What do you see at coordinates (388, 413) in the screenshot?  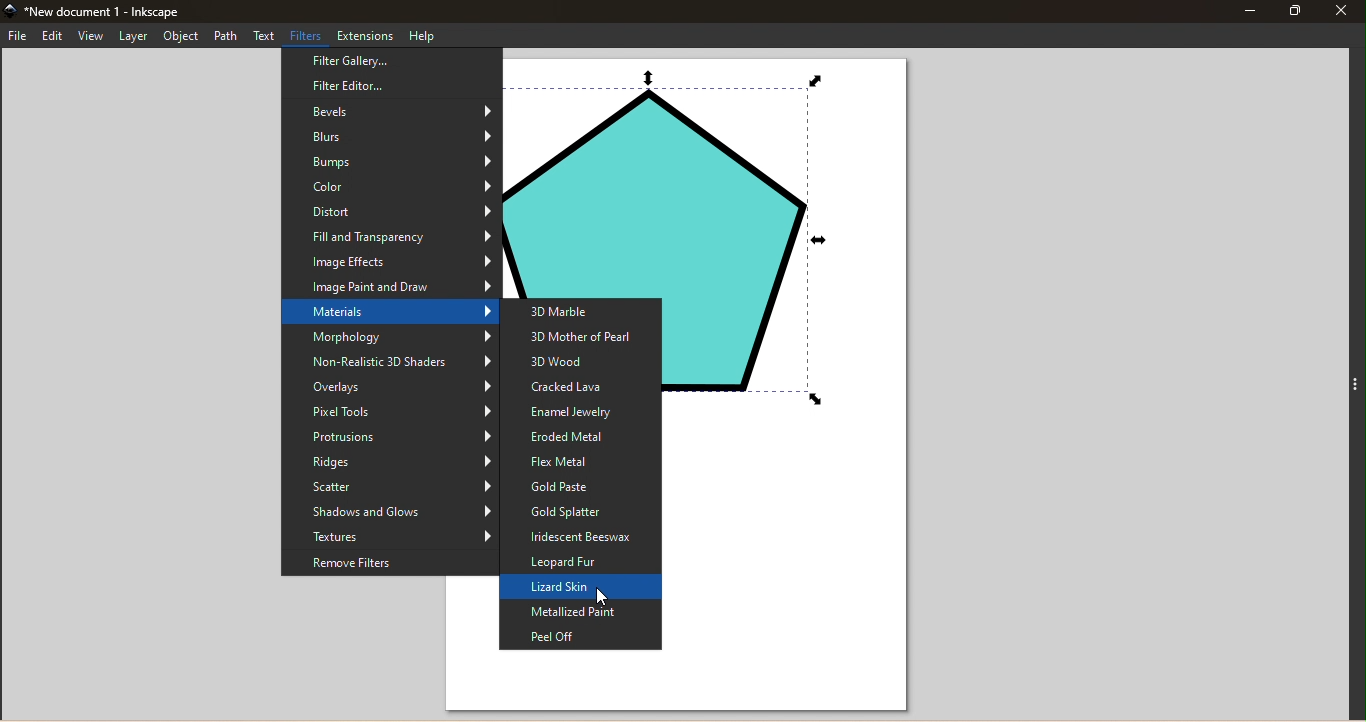 I see `Pixel Tools` at bounding box center [388, 413].